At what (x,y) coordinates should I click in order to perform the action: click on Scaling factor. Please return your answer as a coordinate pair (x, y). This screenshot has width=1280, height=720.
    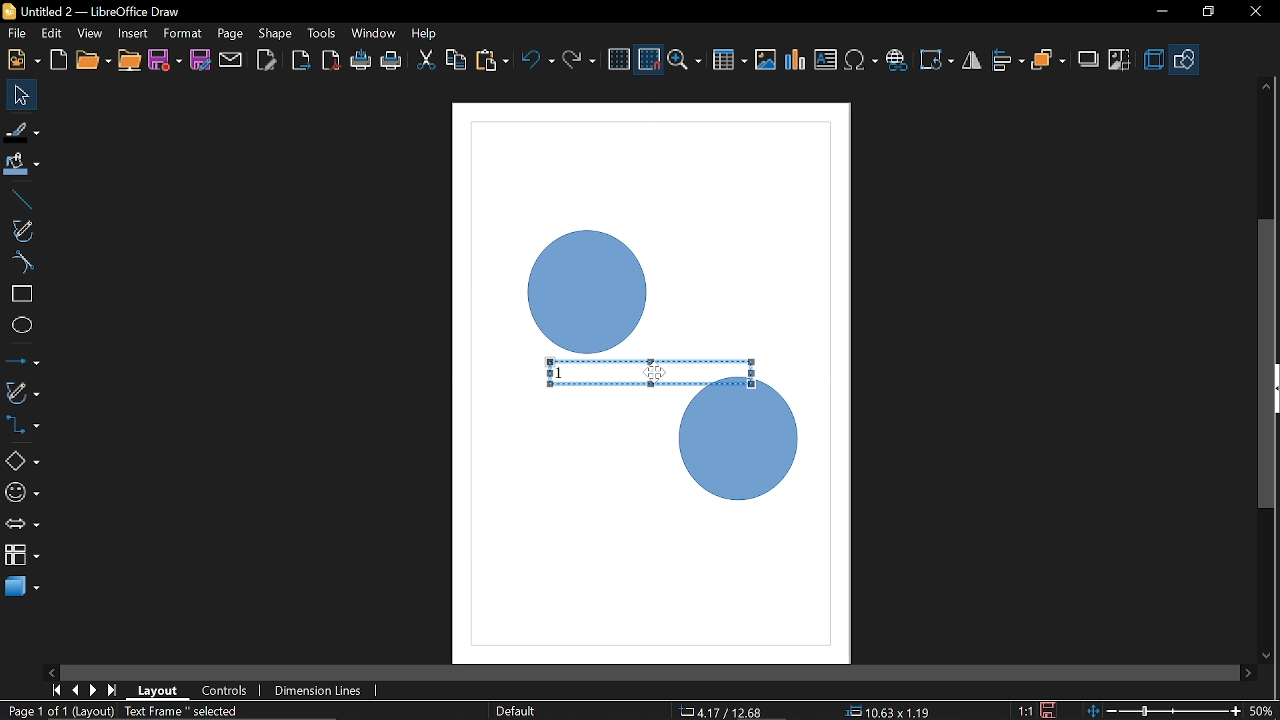
    Looking at the image, I should click on (1025, 711).